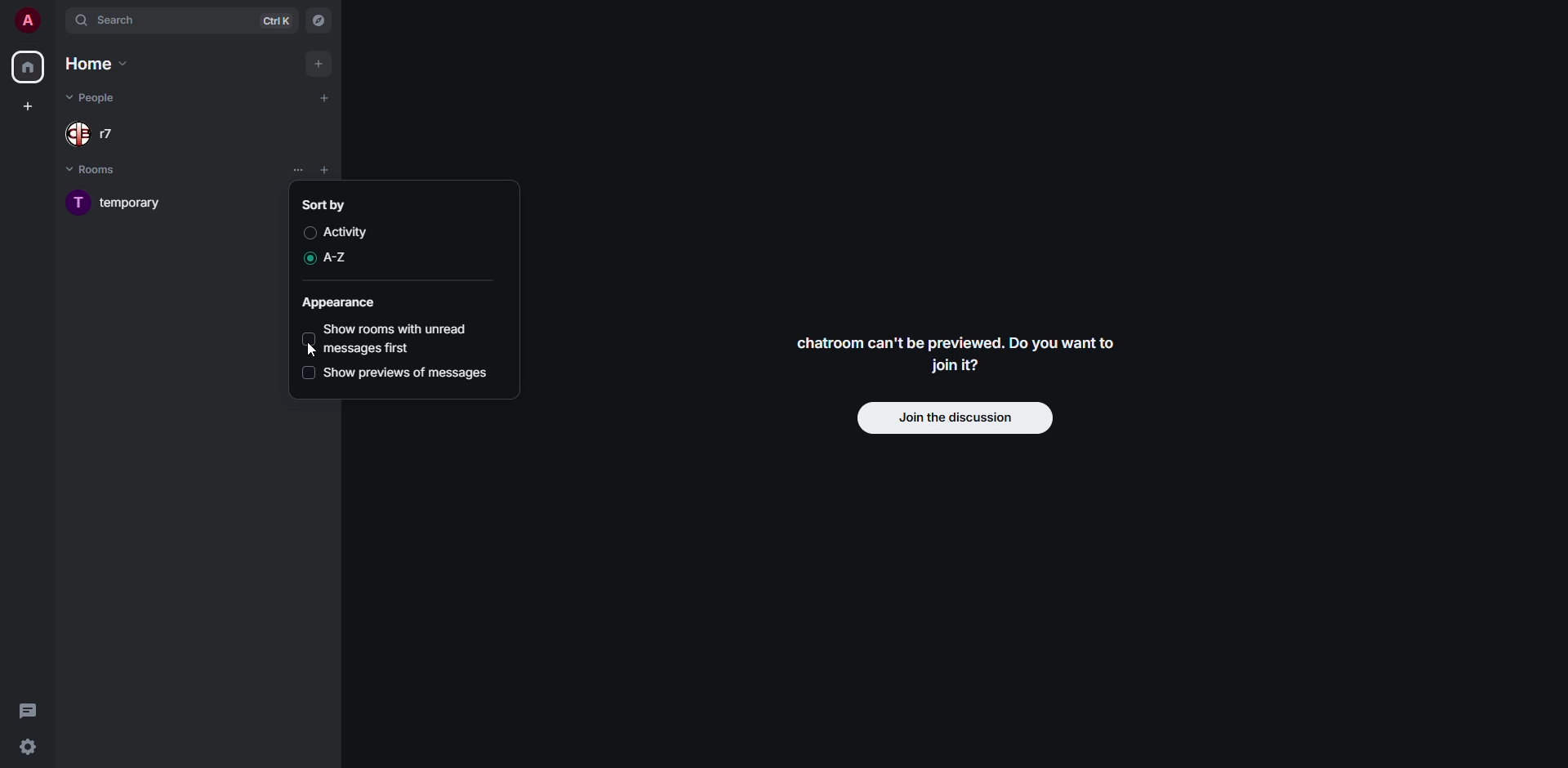  What do you see at coordinates (309, 340) in the screenshot?
I see `disabled` at bounding box center [309, 340].